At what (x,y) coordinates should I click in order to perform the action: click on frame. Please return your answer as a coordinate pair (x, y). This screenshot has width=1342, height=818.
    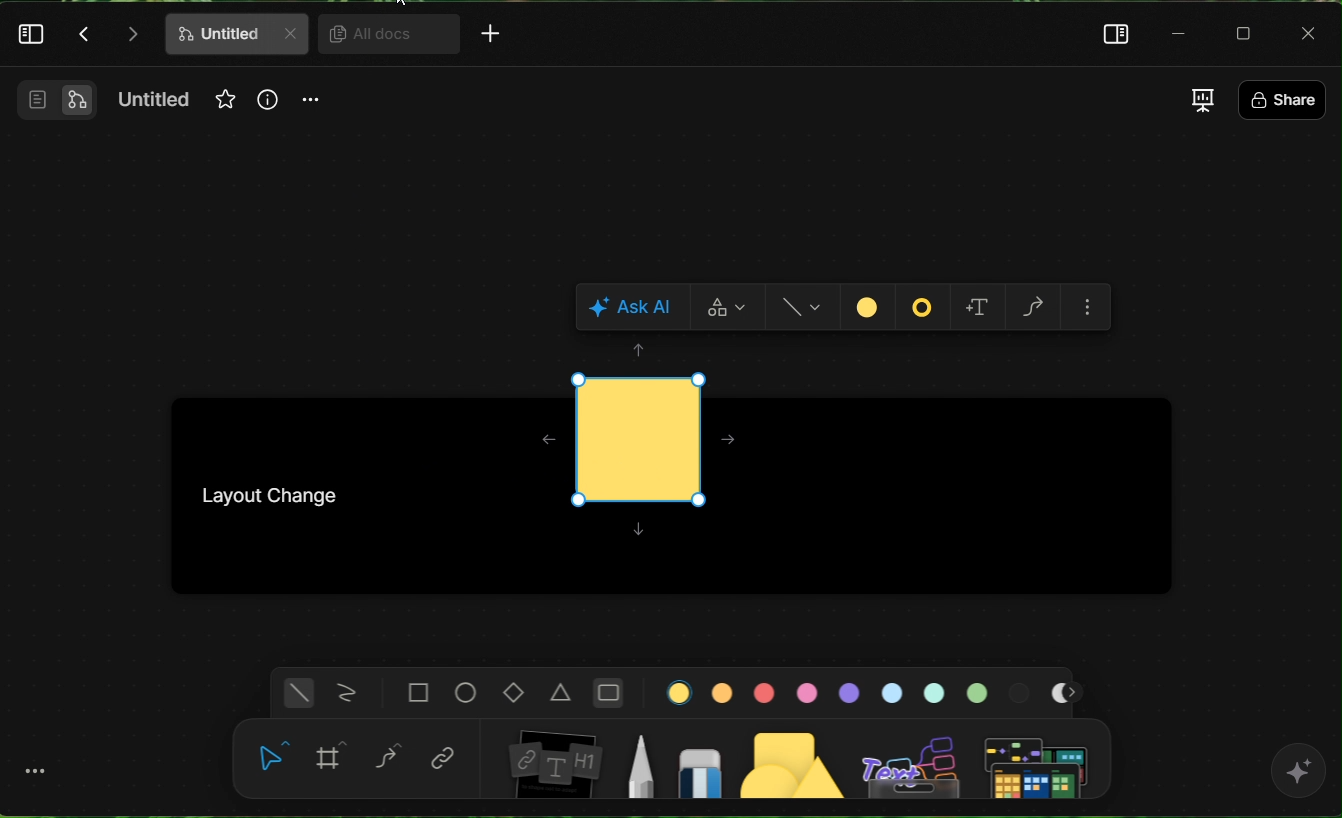
    Looking at the image, I should click on (332, 755).